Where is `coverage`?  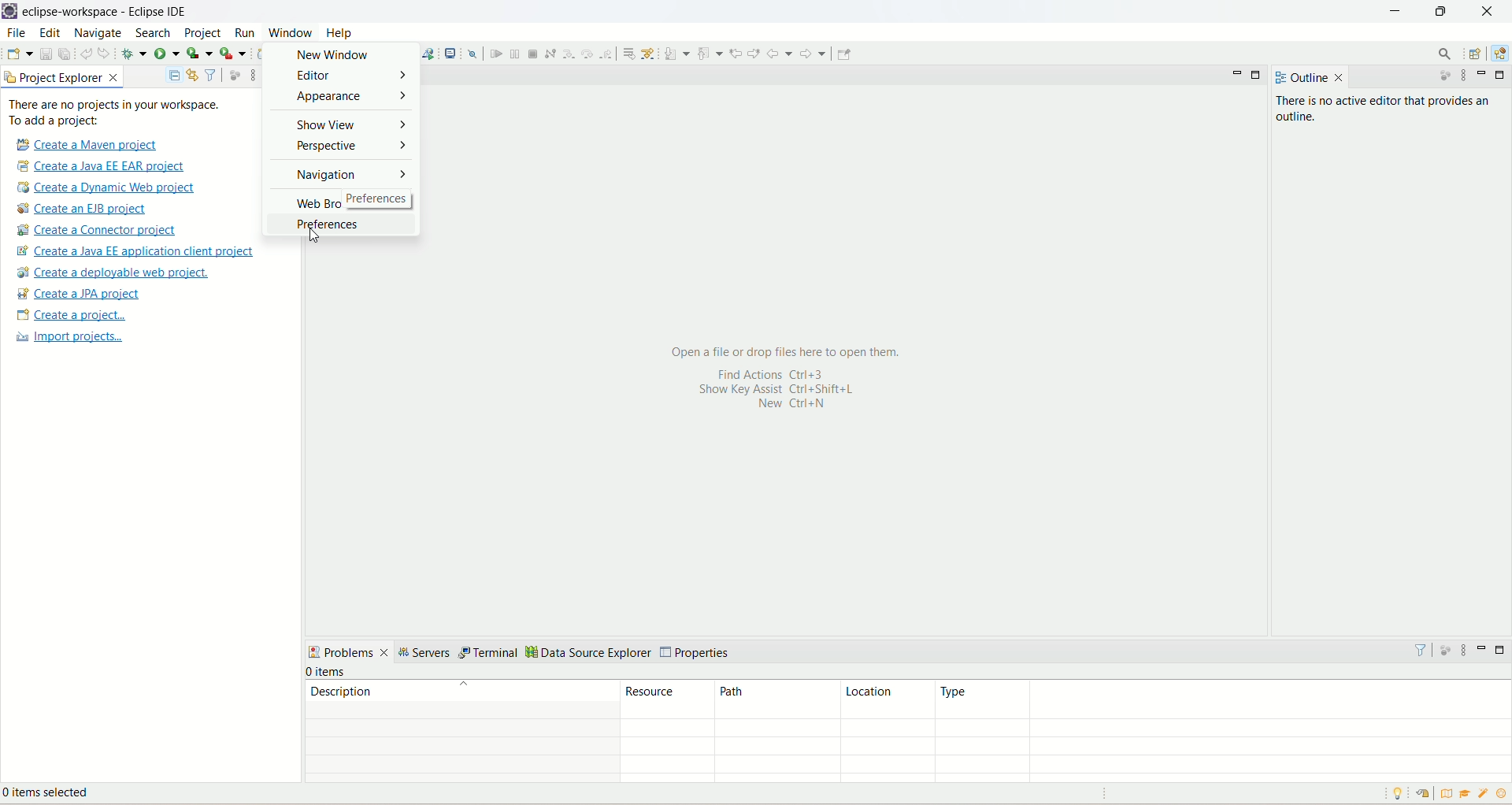 coverage is located at coordinates (199, 52).